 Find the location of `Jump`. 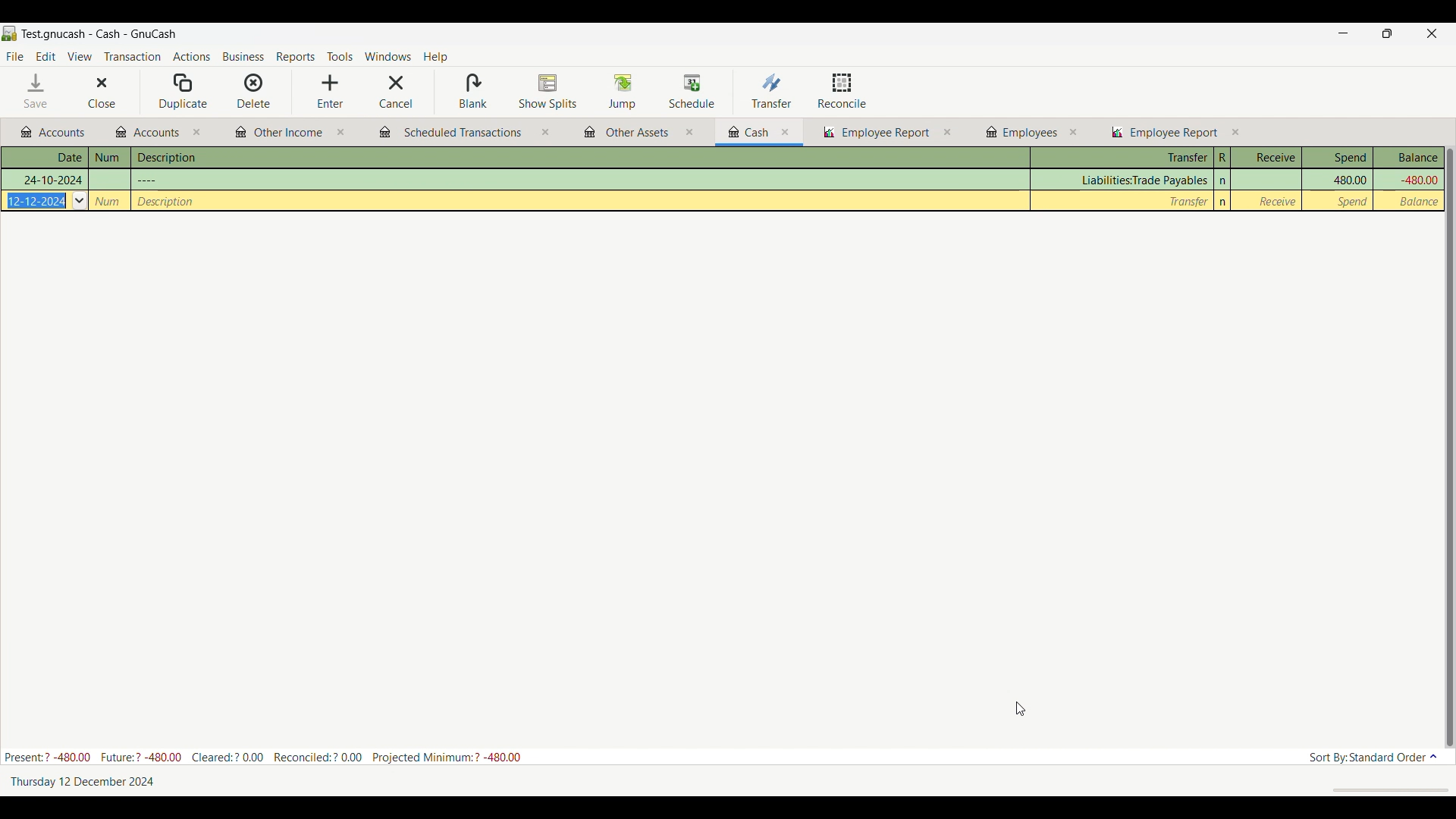

Jump is located at coordinates (624, 92).